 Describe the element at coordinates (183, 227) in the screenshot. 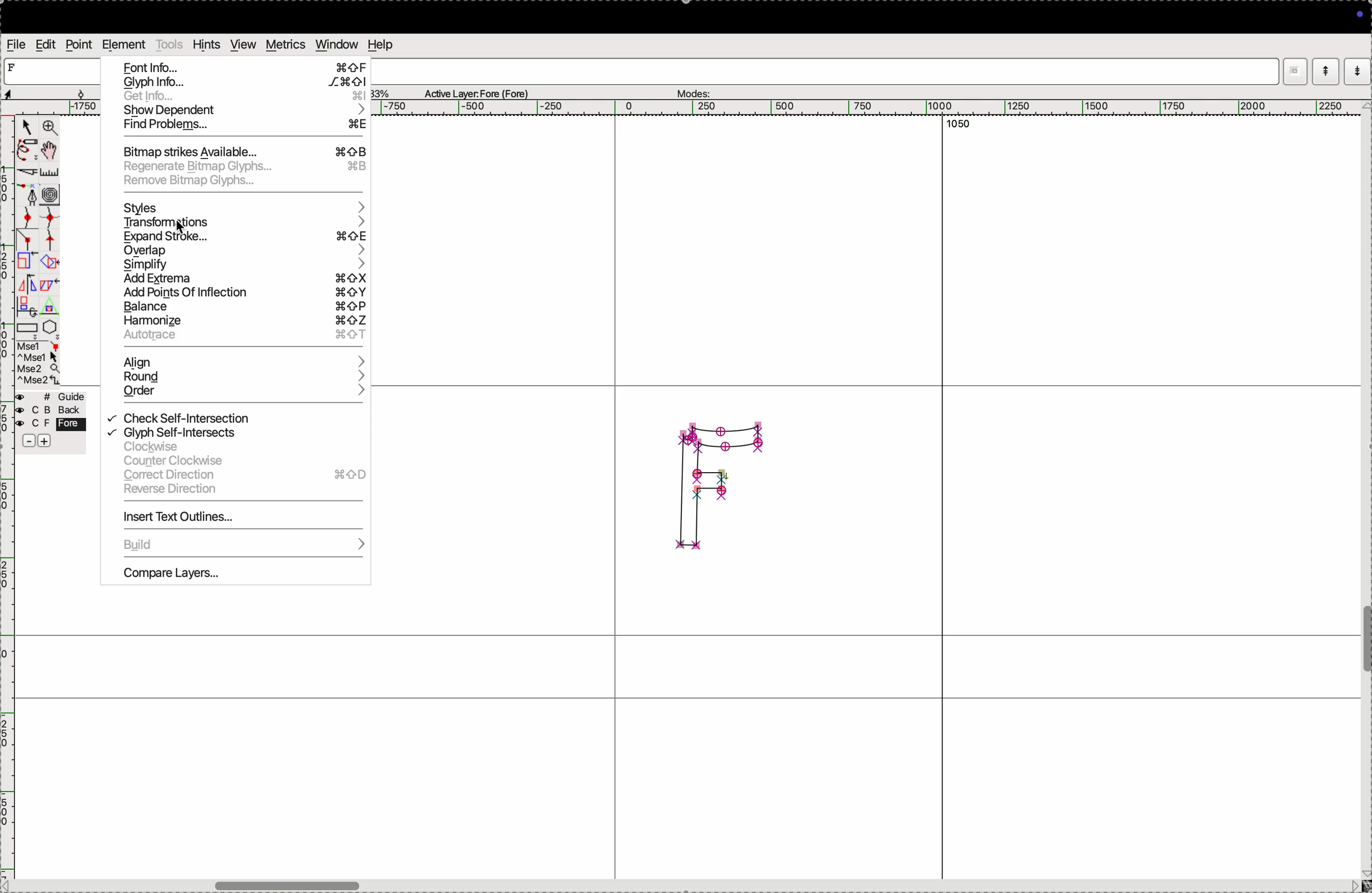

I see `cursor` at that location.